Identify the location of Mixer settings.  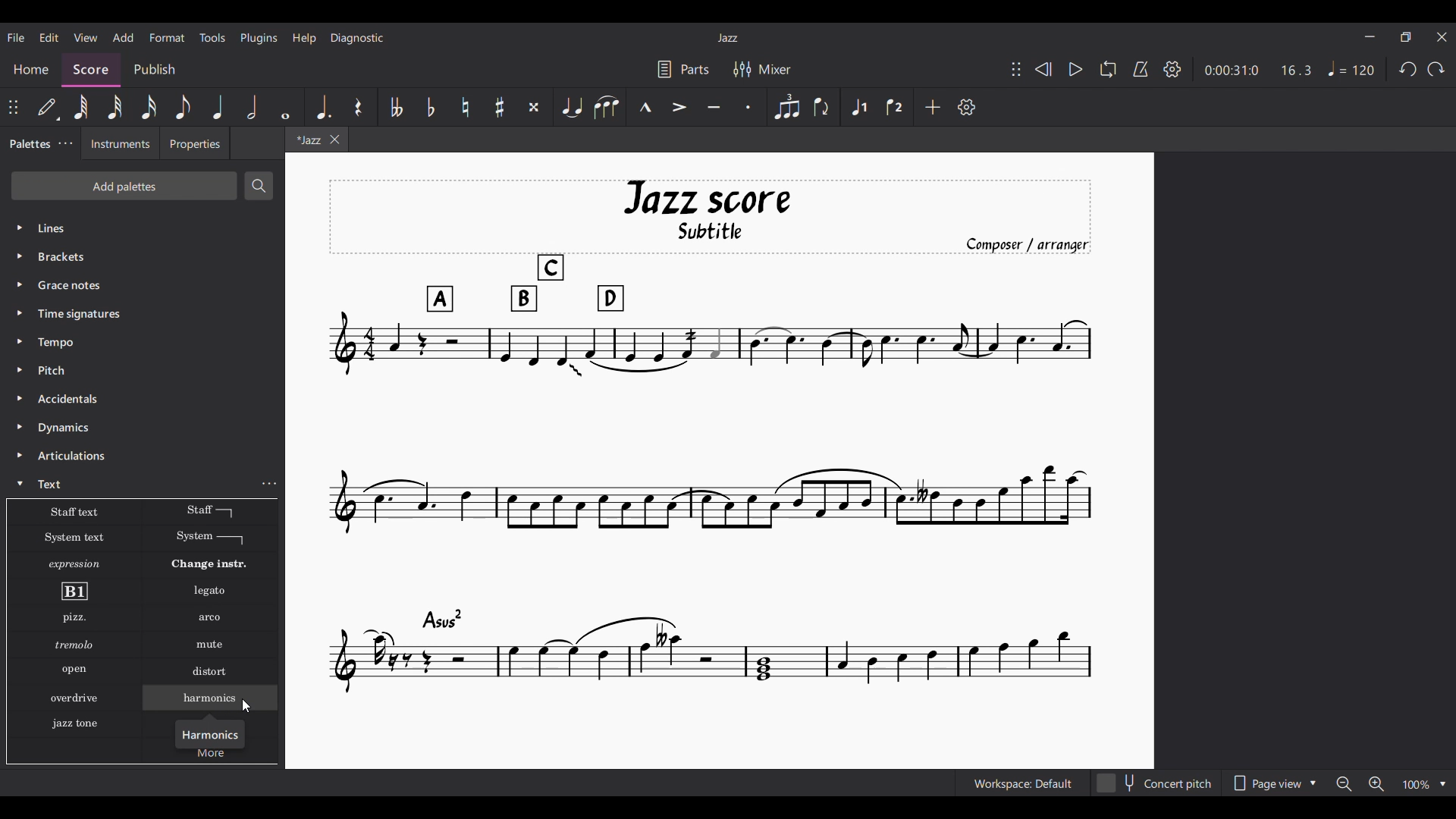
(761, 68).